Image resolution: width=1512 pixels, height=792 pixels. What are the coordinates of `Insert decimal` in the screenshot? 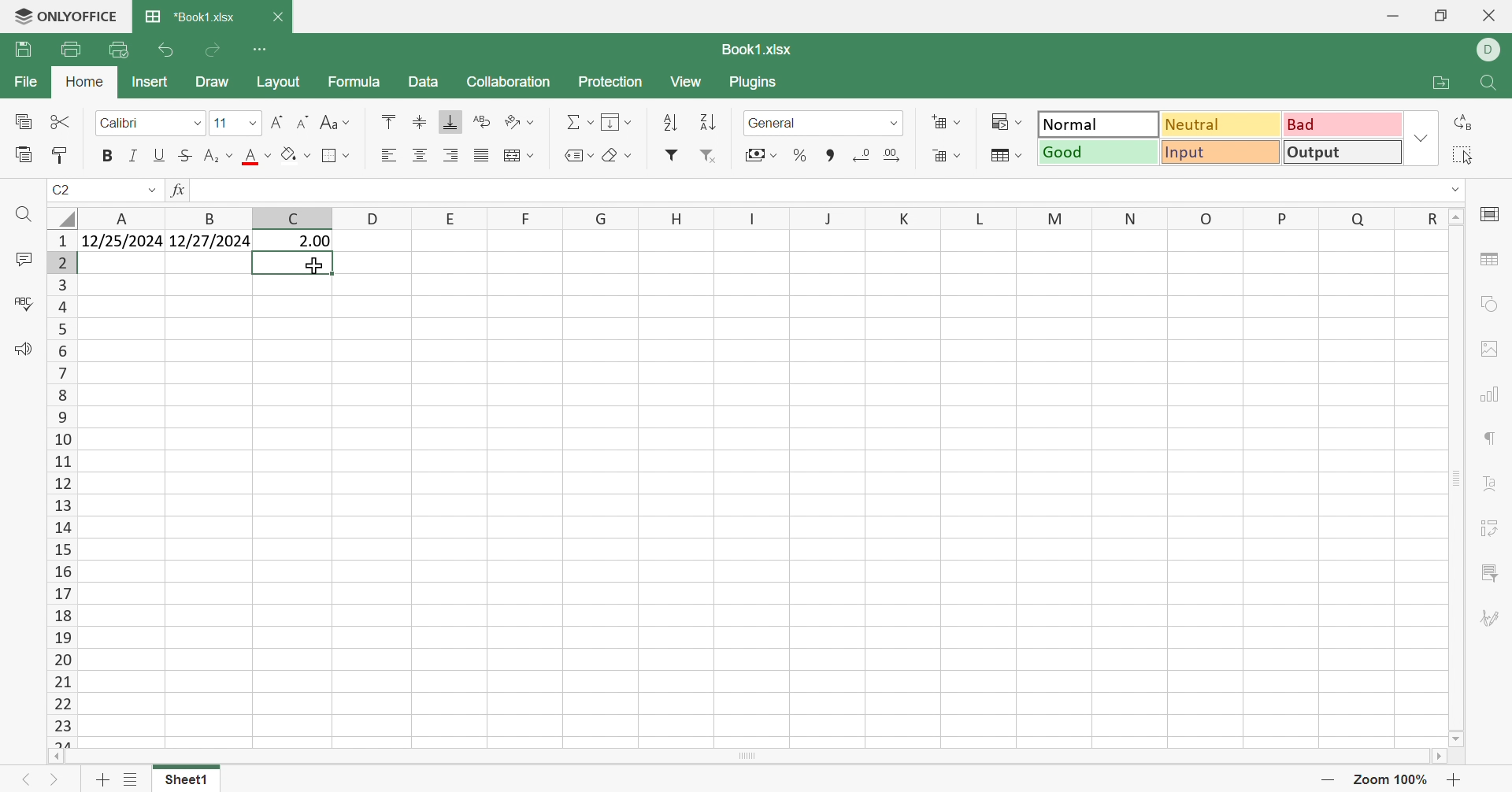 It's located at (895, 154).